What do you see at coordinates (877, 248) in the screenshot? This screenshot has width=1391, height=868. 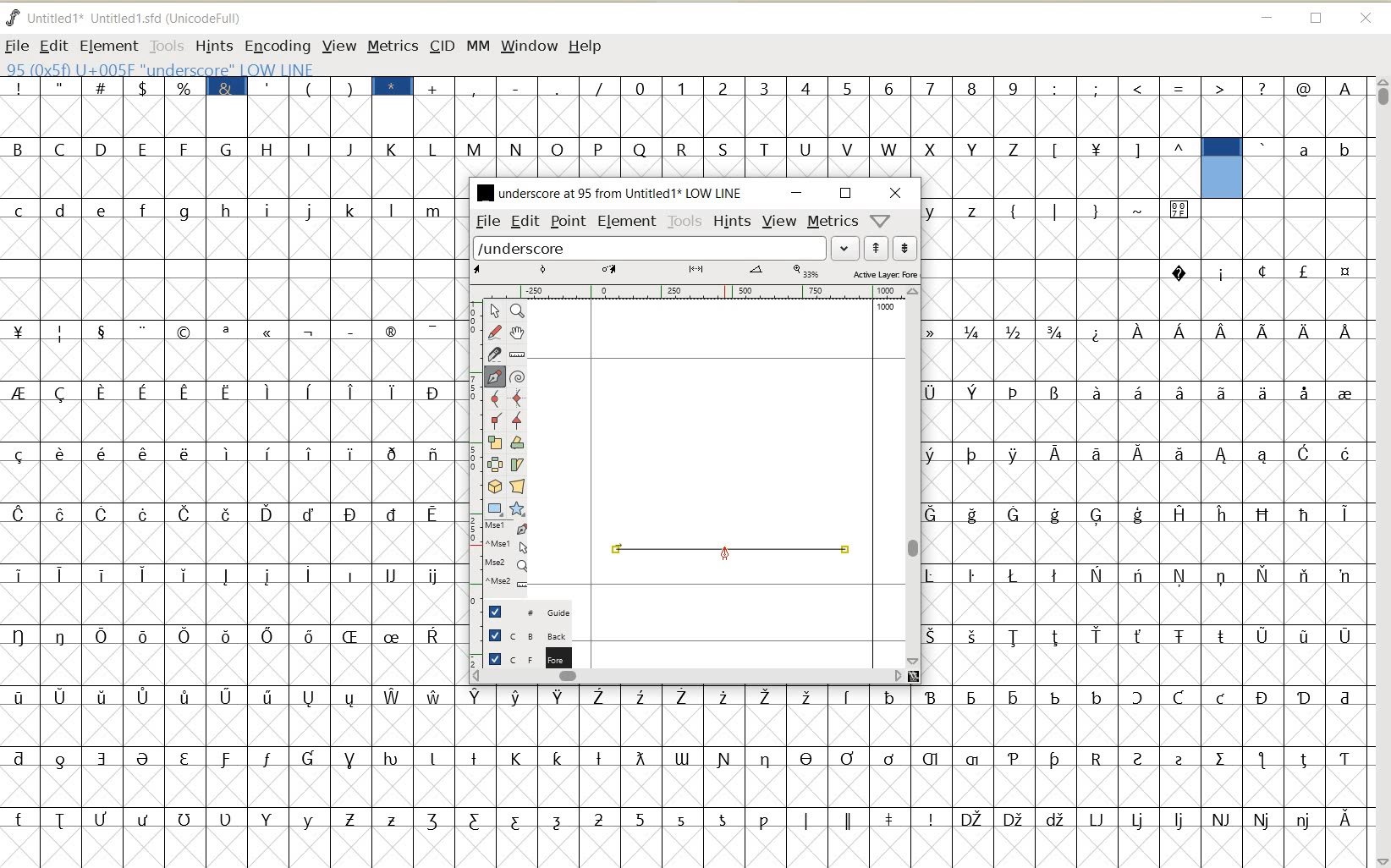 I see `show previous word list` at bounding box center [877, 248].